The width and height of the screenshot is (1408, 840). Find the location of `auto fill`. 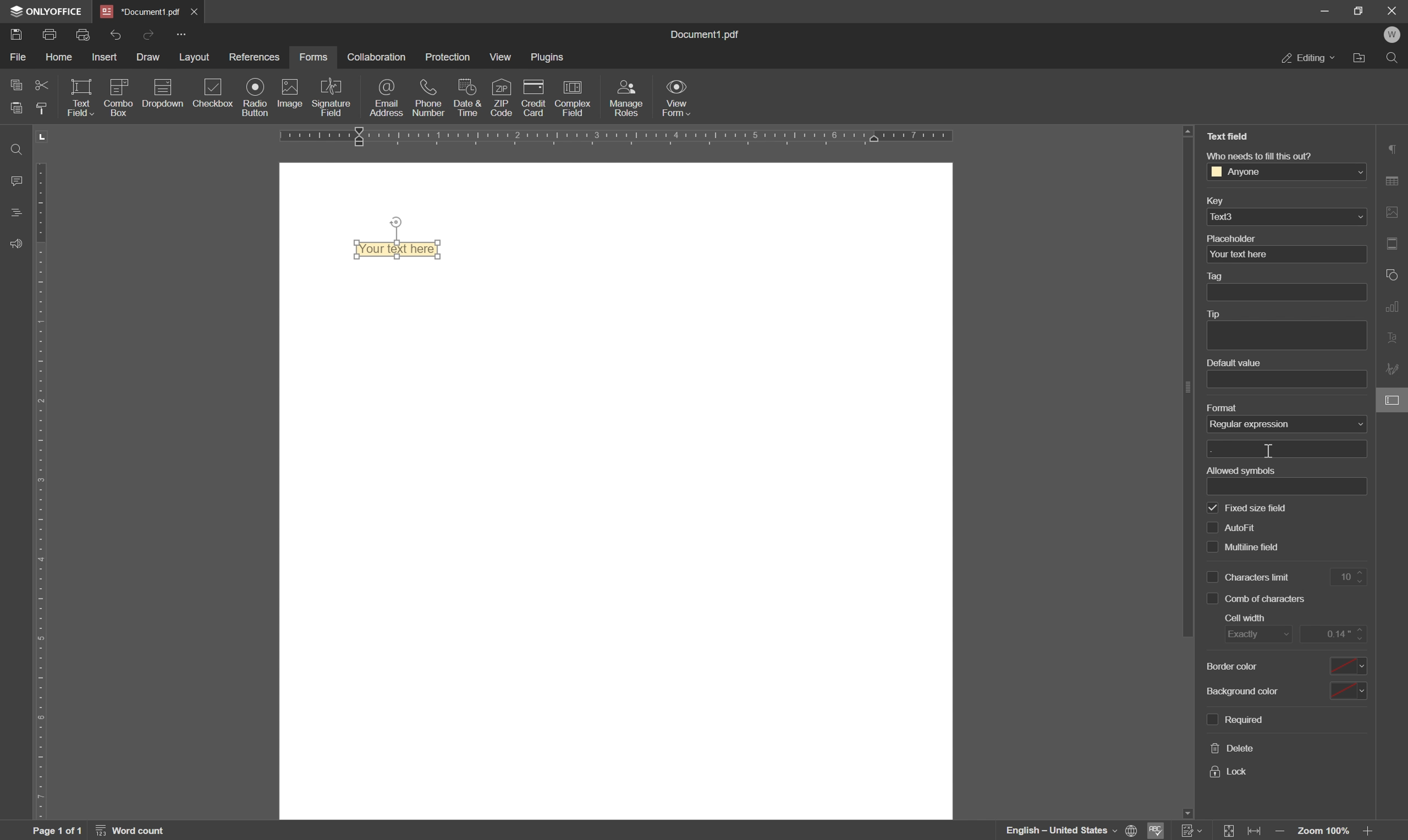

auto fill is located at coordinates (1260, 505).